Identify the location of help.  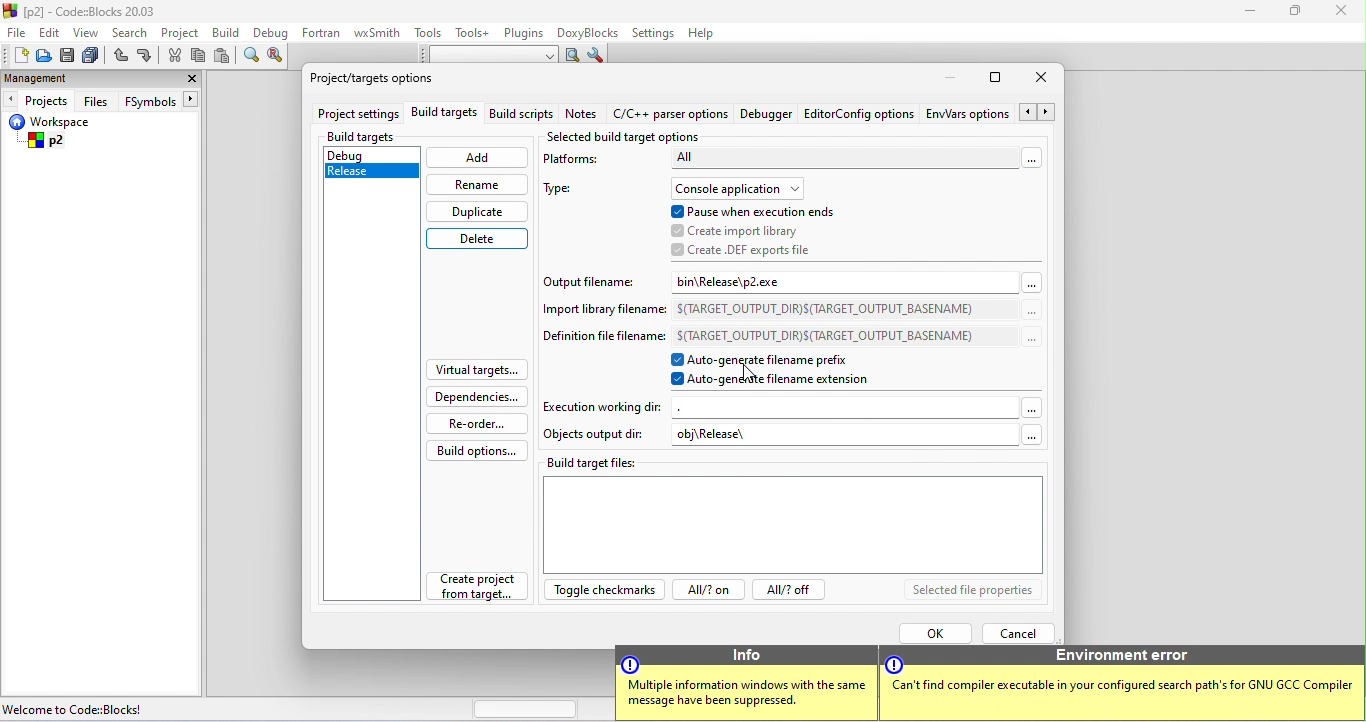
(710, 34).